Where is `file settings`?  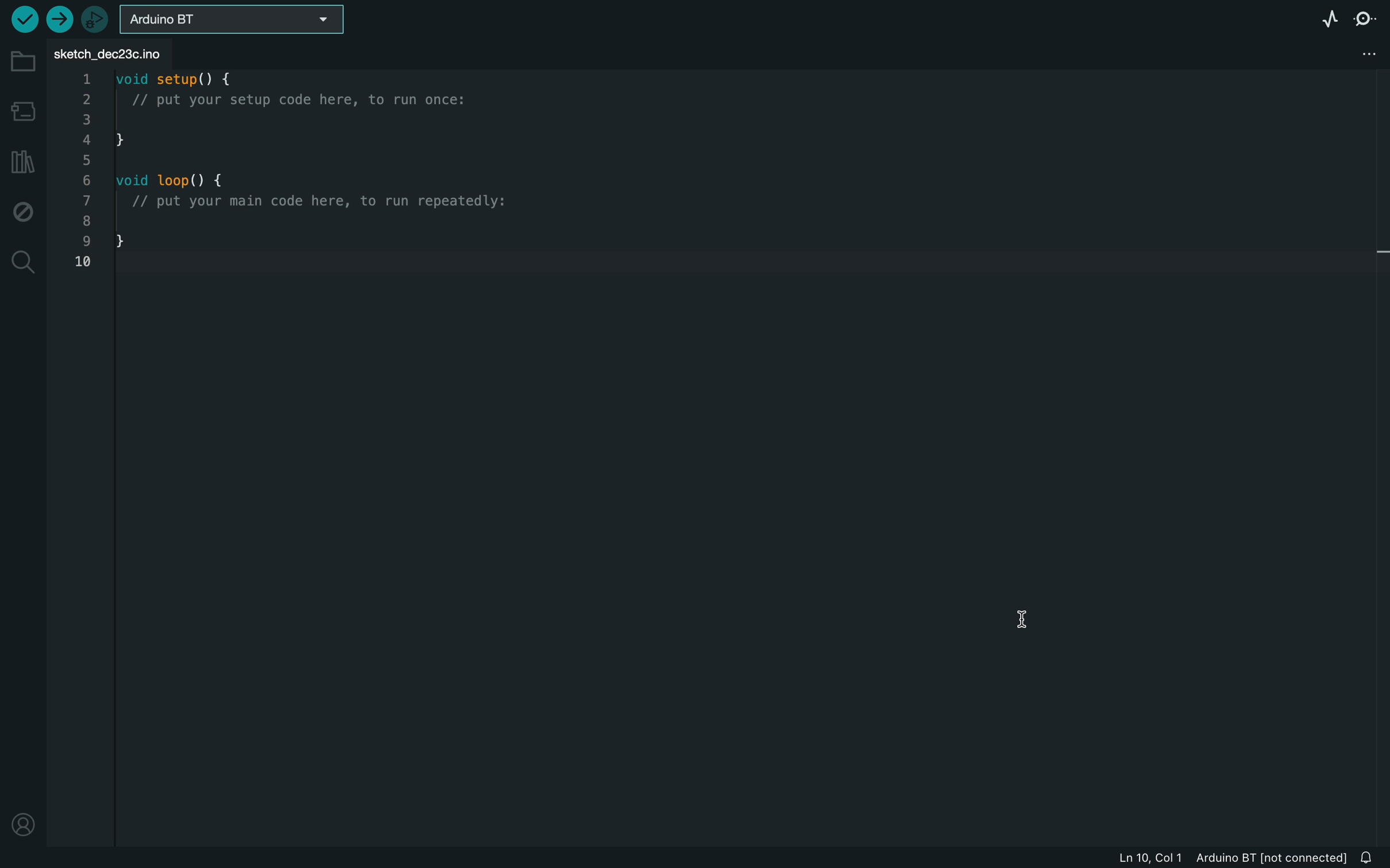
file settings is located at coordinates (1364, 53).